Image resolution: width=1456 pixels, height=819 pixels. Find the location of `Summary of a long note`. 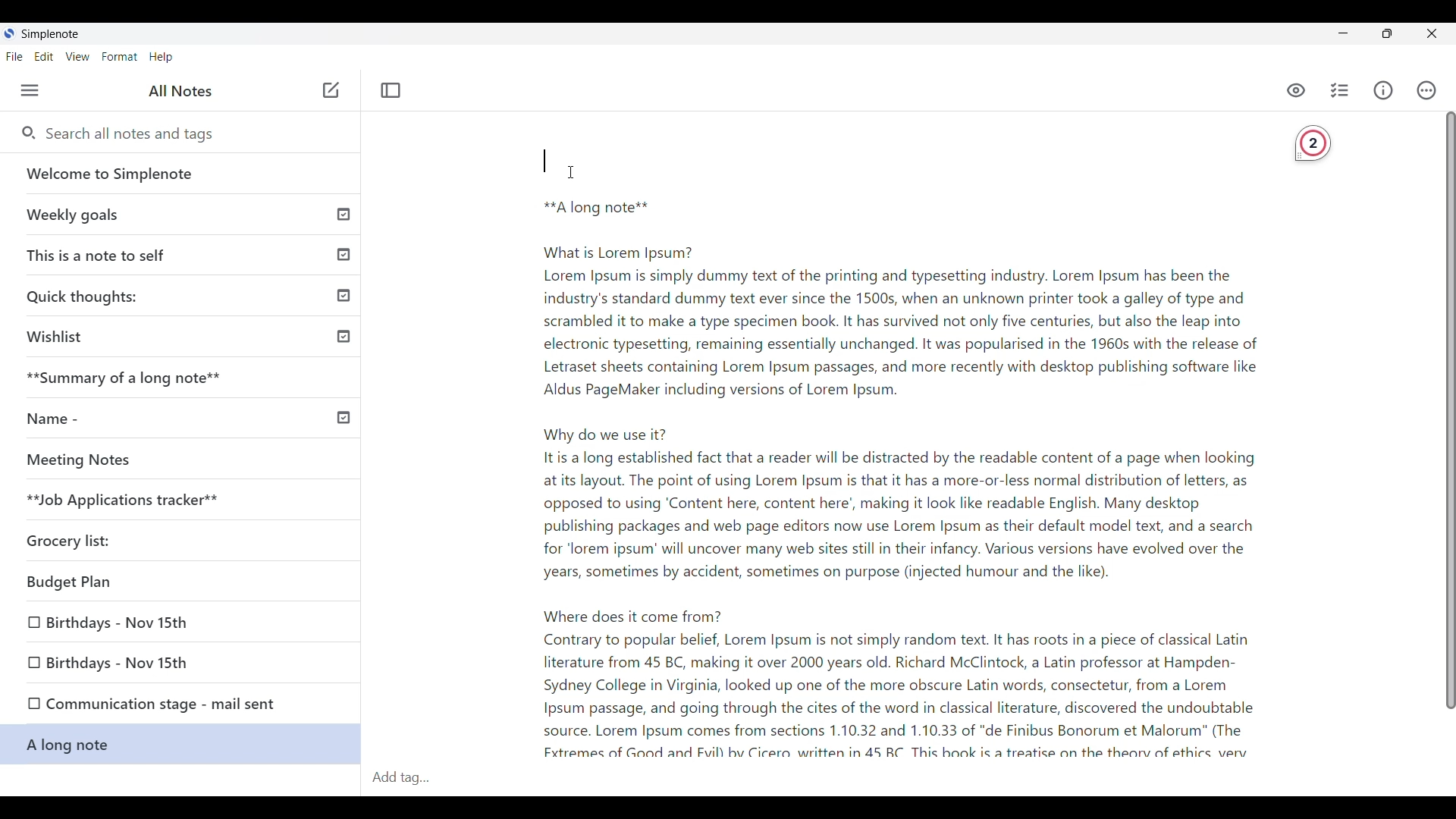

Summary of a long note is located at coordinates (184, 376).